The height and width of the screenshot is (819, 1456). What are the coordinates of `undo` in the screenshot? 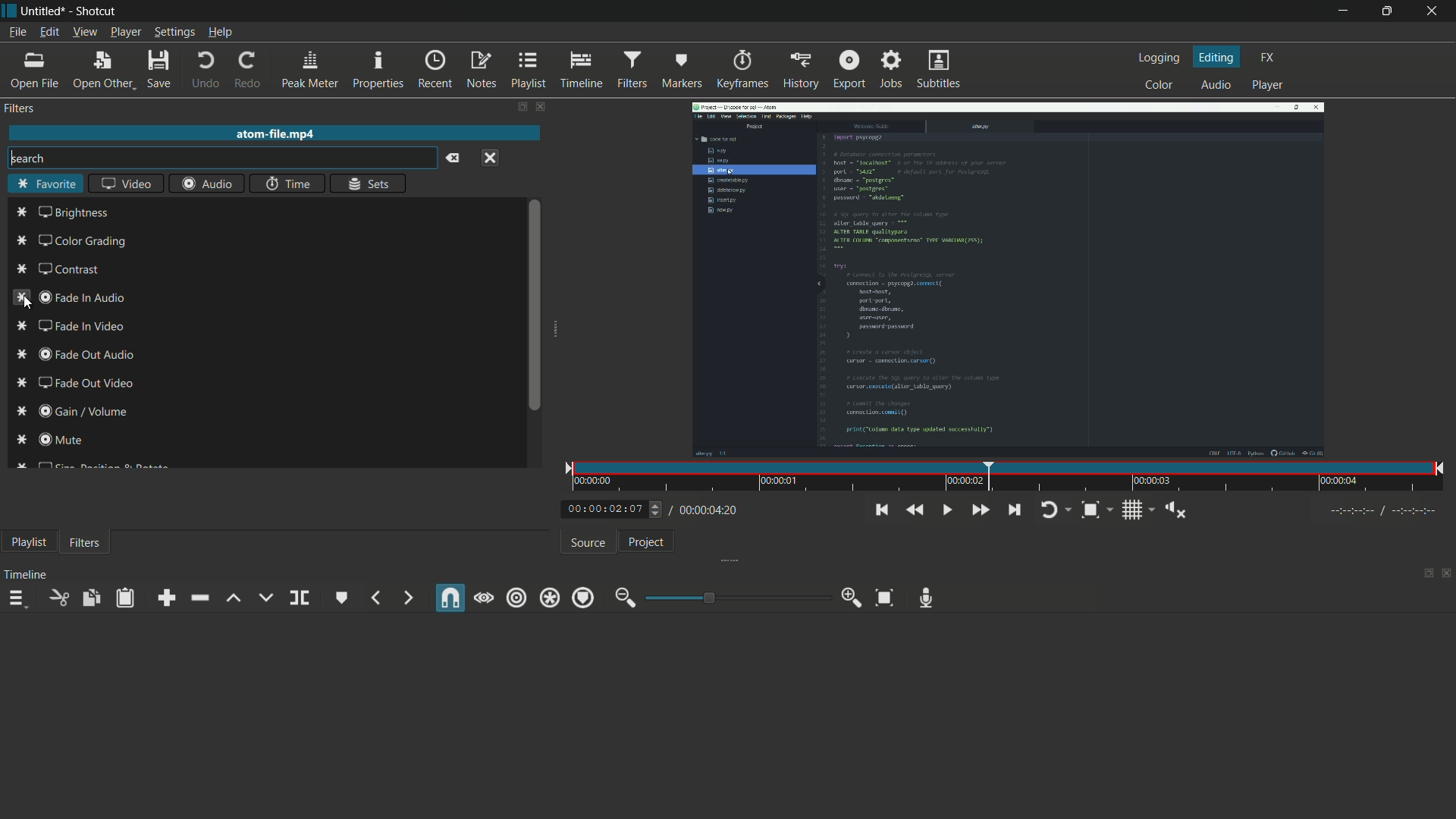 It's located at (206, 70).